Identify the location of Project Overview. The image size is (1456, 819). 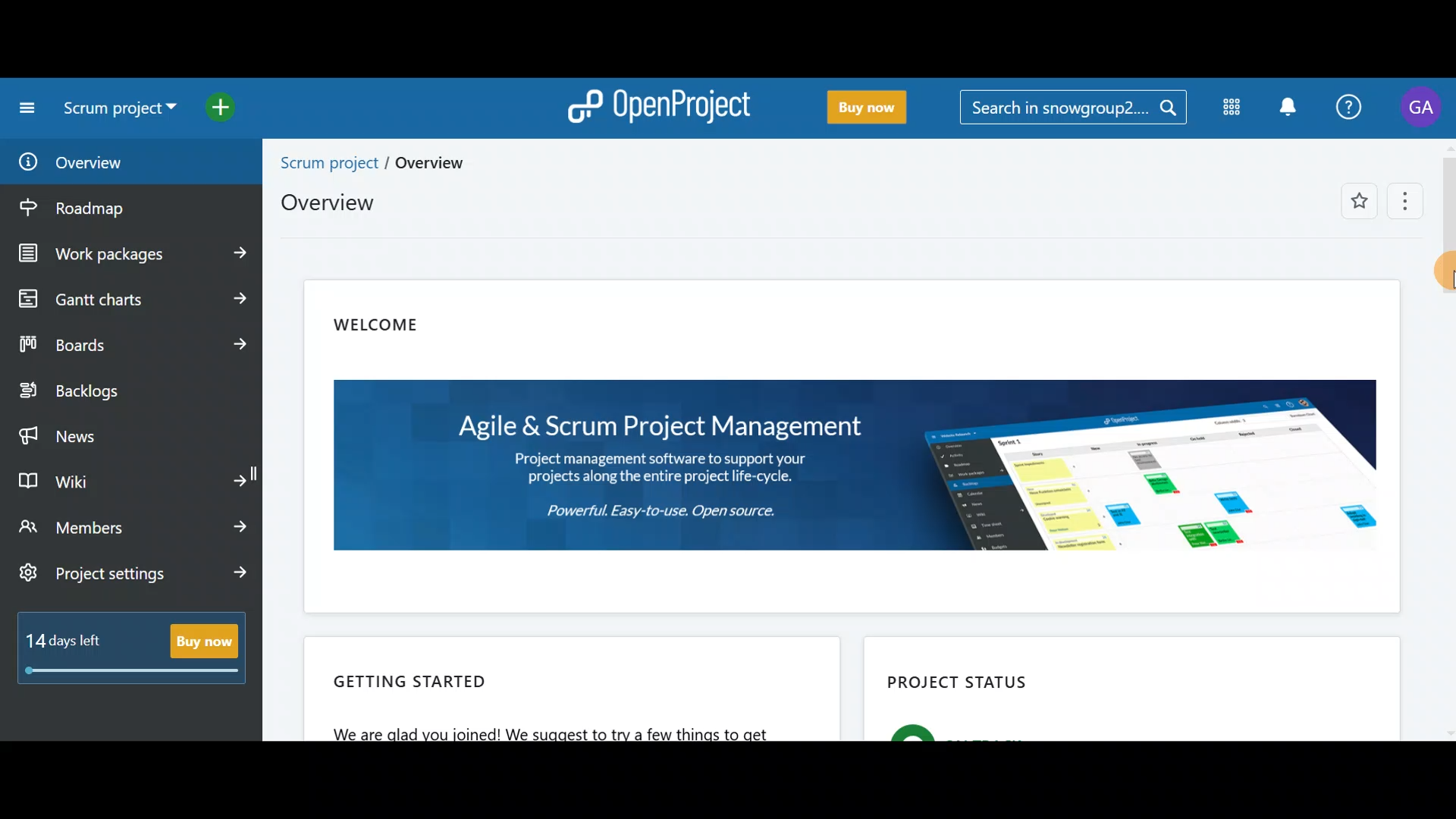
(368, 186).